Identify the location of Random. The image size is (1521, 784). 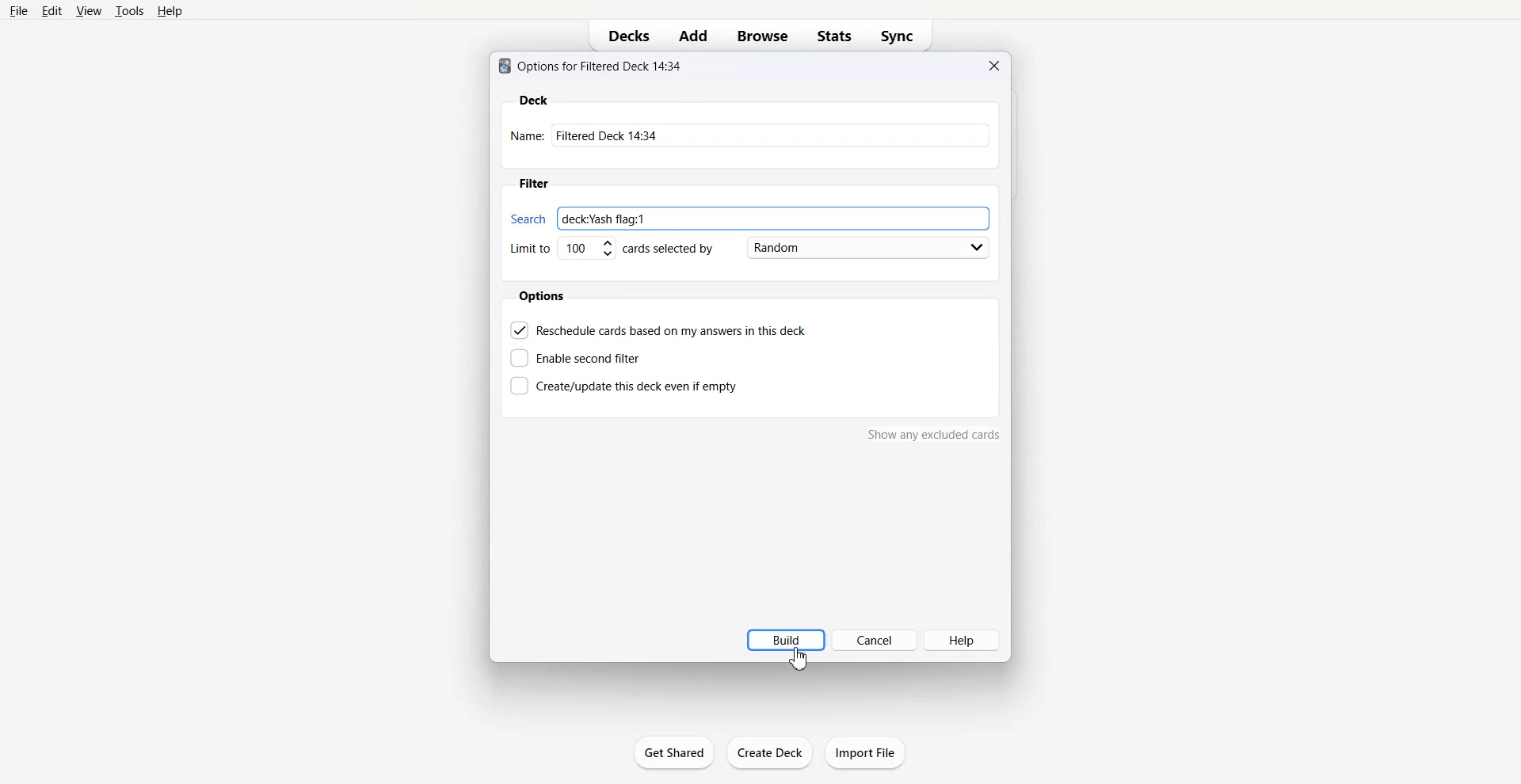
(866, 247).